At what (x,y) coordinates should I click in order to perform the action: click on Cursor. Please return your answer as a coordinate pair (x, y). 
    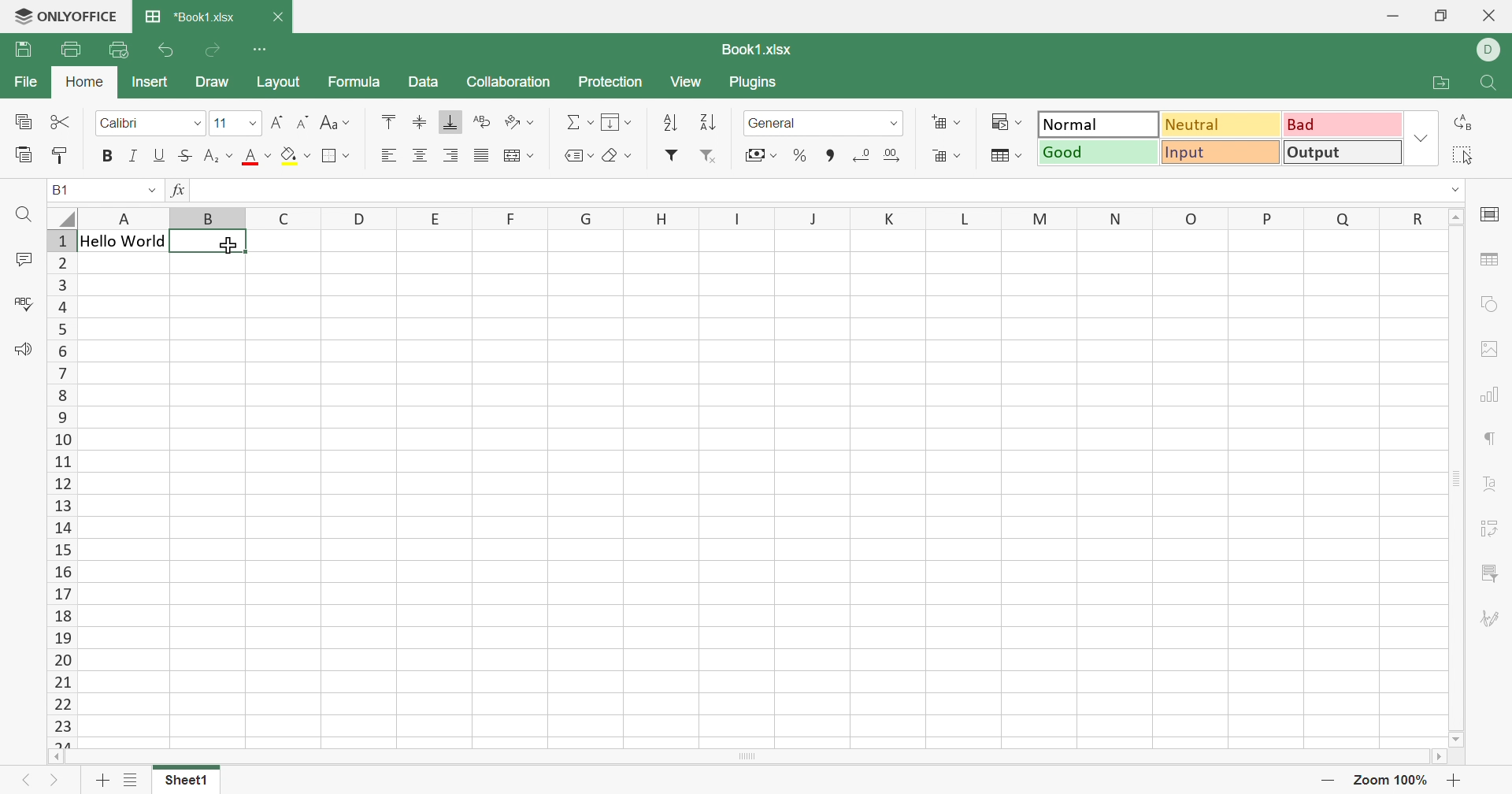
    Looking at the image, I should click on (228, 244).